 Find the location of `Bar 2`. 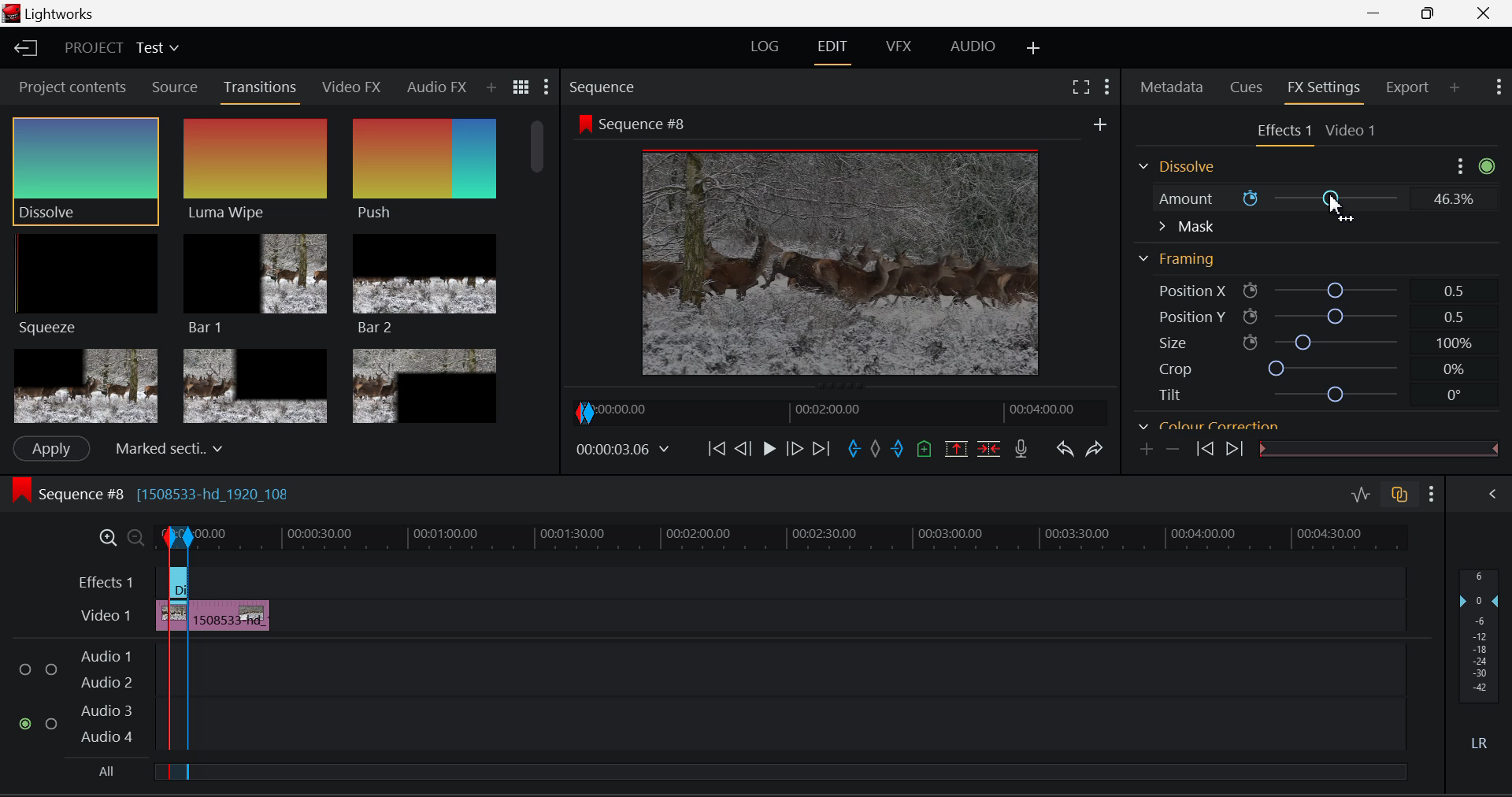

Bar 2 is located at coordinates (424, 284).